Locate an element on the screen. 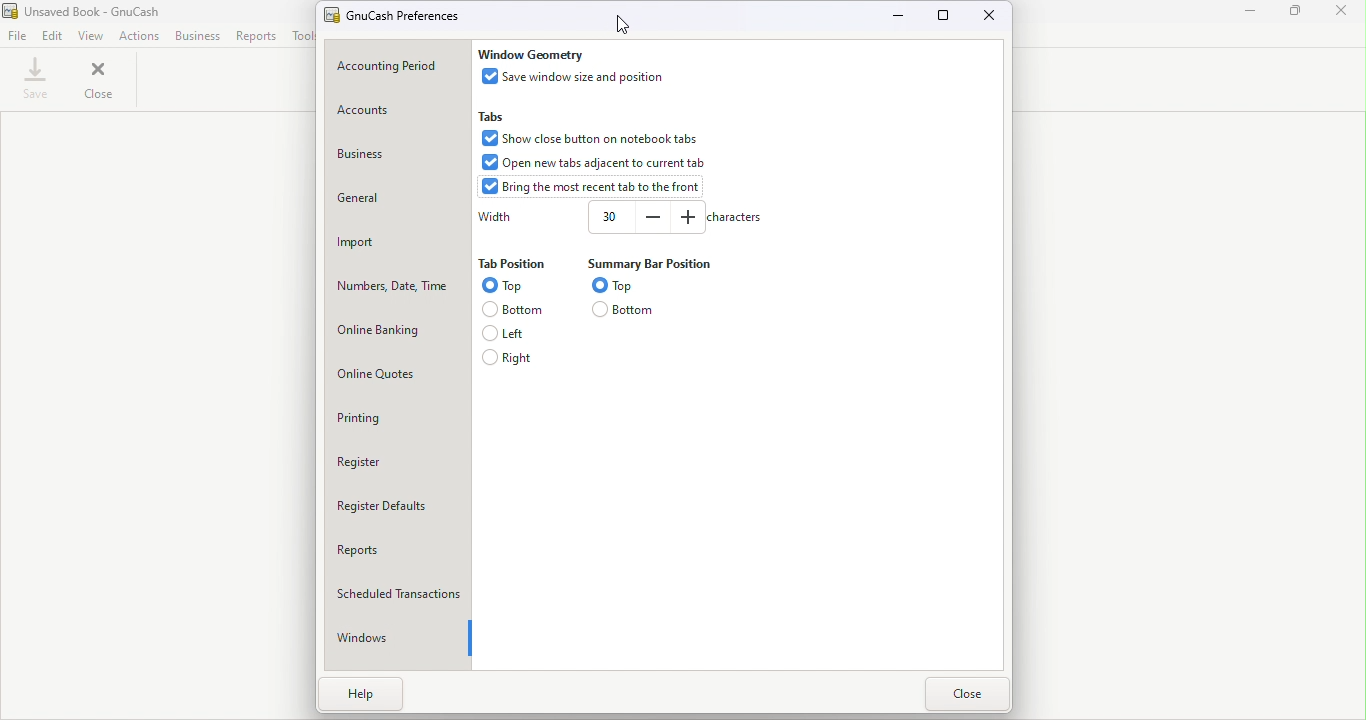 The height and width of the screenshot is (720, 1366). Width is located at coordinates (495, 217).